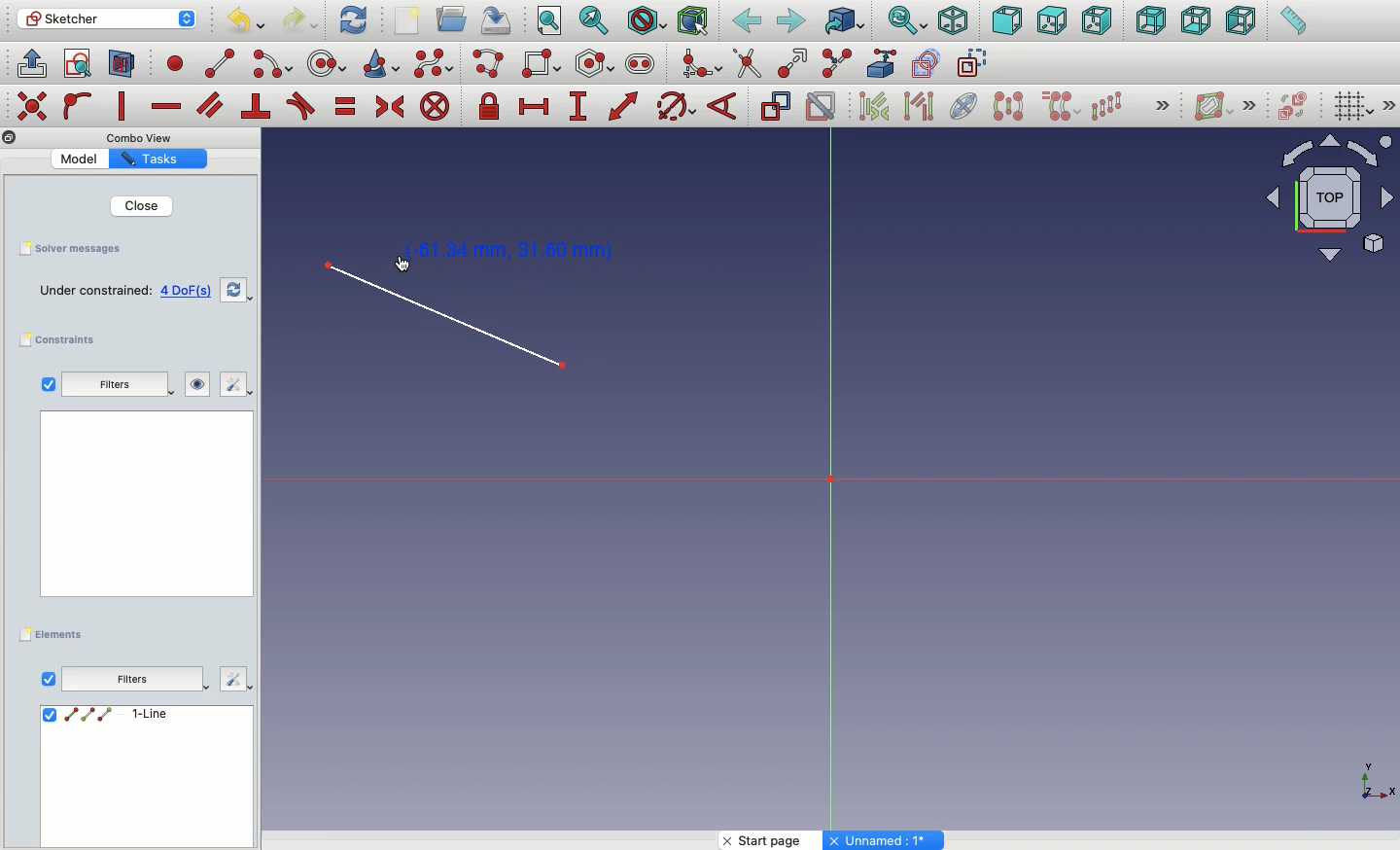 This screenshot has height=850, width=1400. I want to click on Symmetry, so click(1007, 106).